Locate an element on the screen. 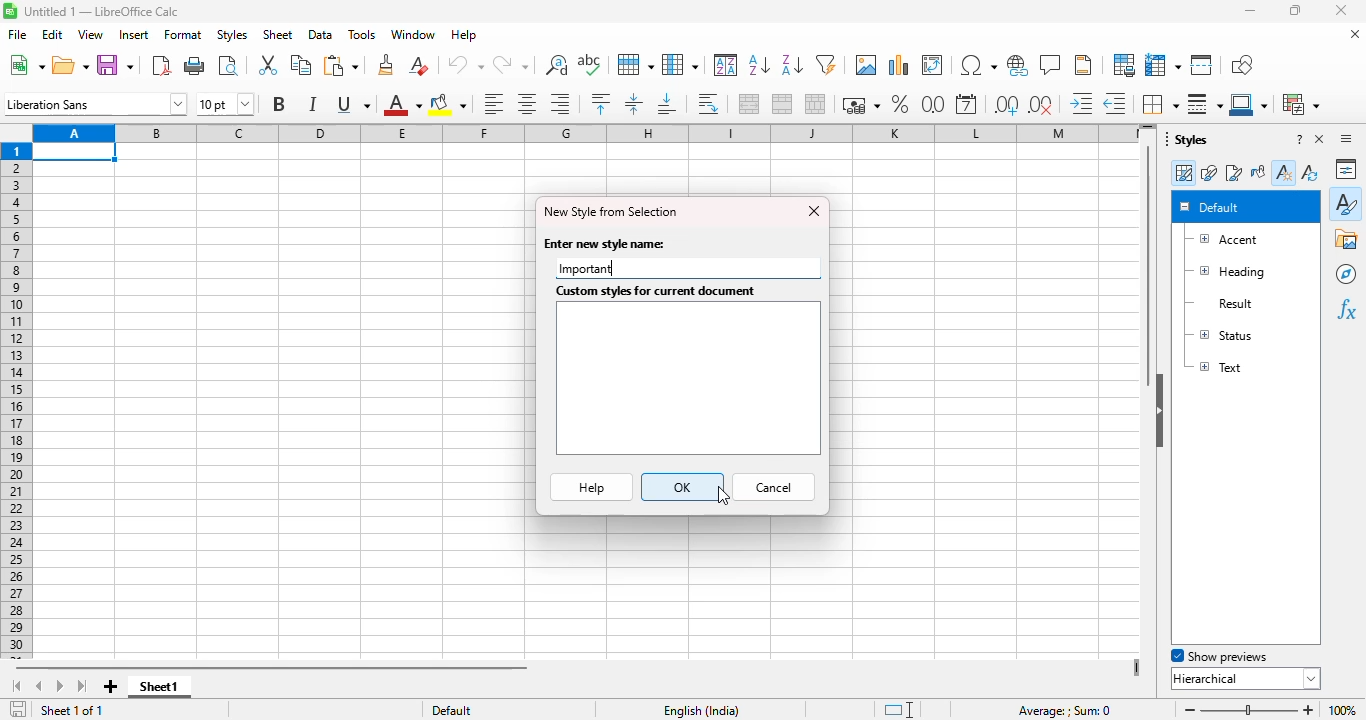 This screenshot has width=1366, height=720. clear direct formatting is located at coordinates (418, 64).